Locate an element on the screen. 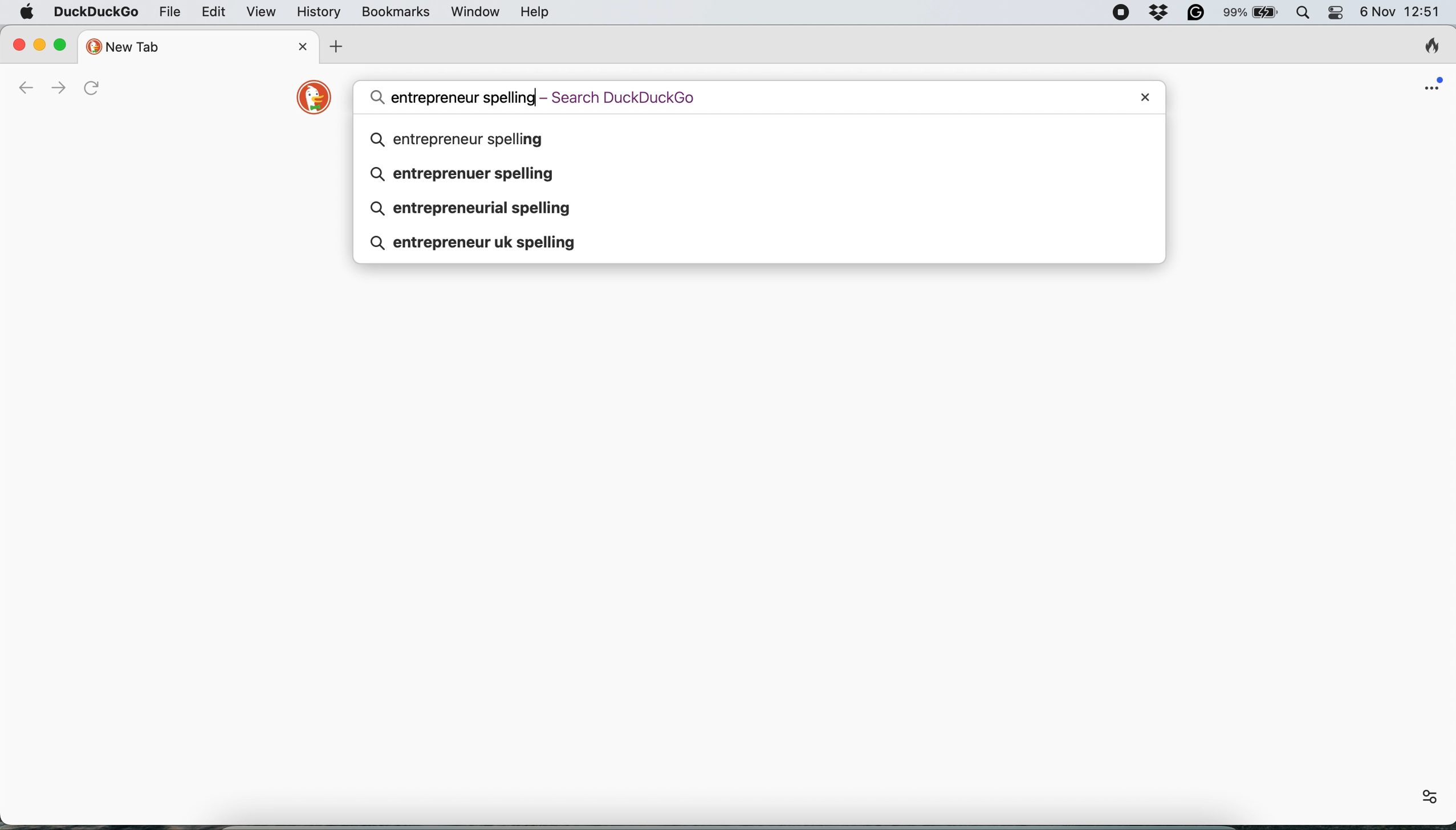 This screenshot has height=830, width=1456. close is located at coordinates (19, 43).